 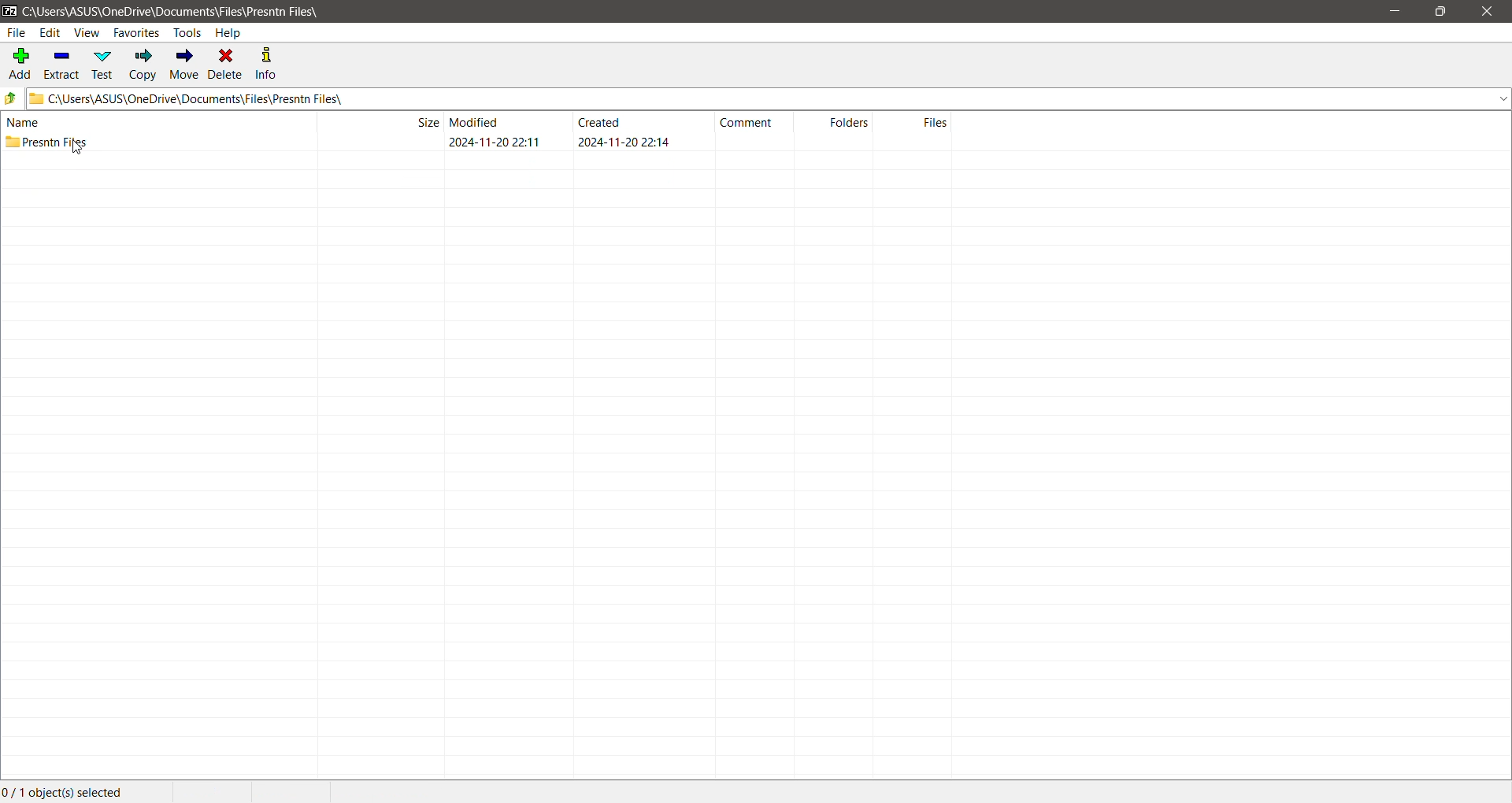 I want to click on Add, so click(x=19, y=62).